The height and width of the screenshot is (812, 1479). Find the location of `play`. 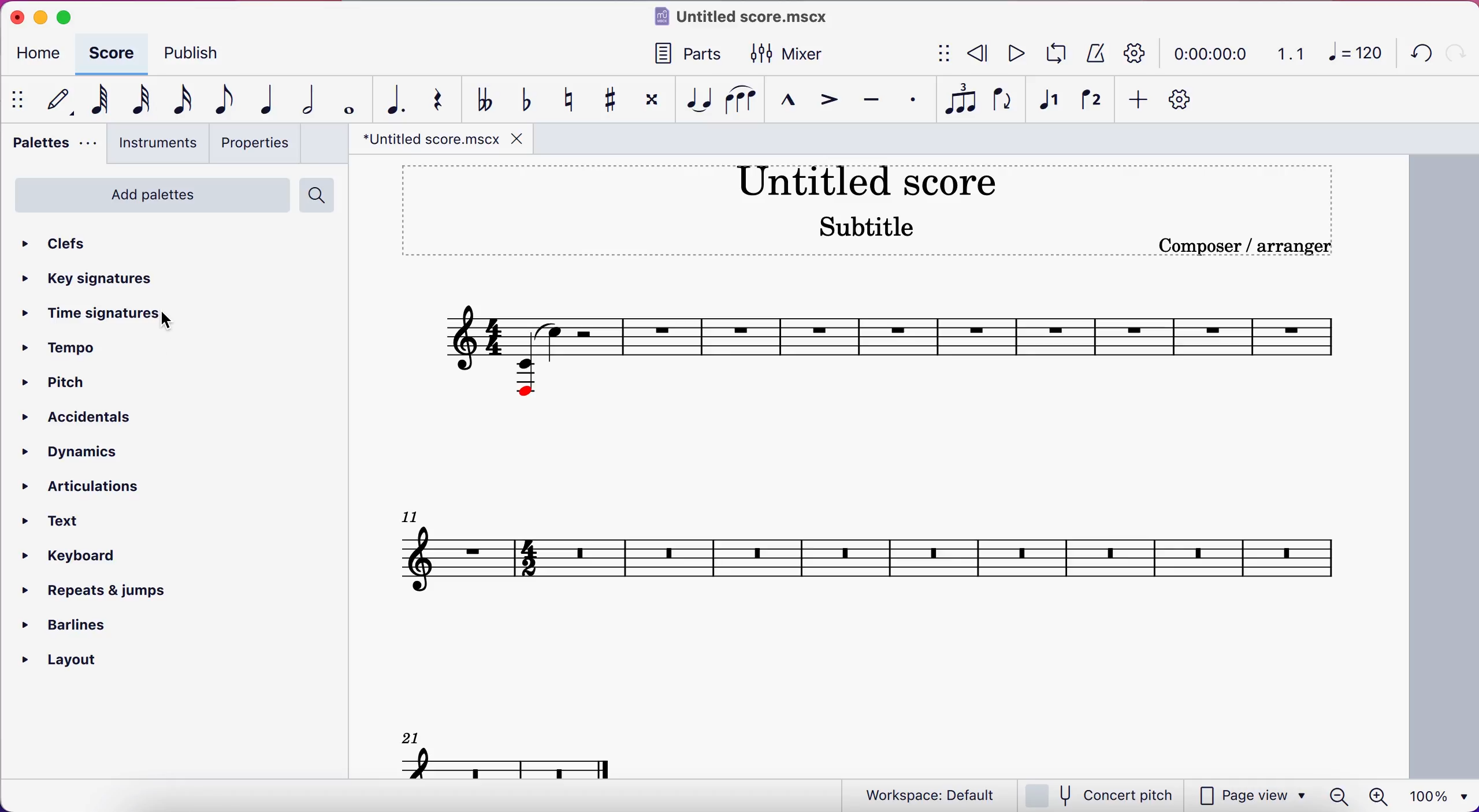

play is located at coordinates (1020, 54).